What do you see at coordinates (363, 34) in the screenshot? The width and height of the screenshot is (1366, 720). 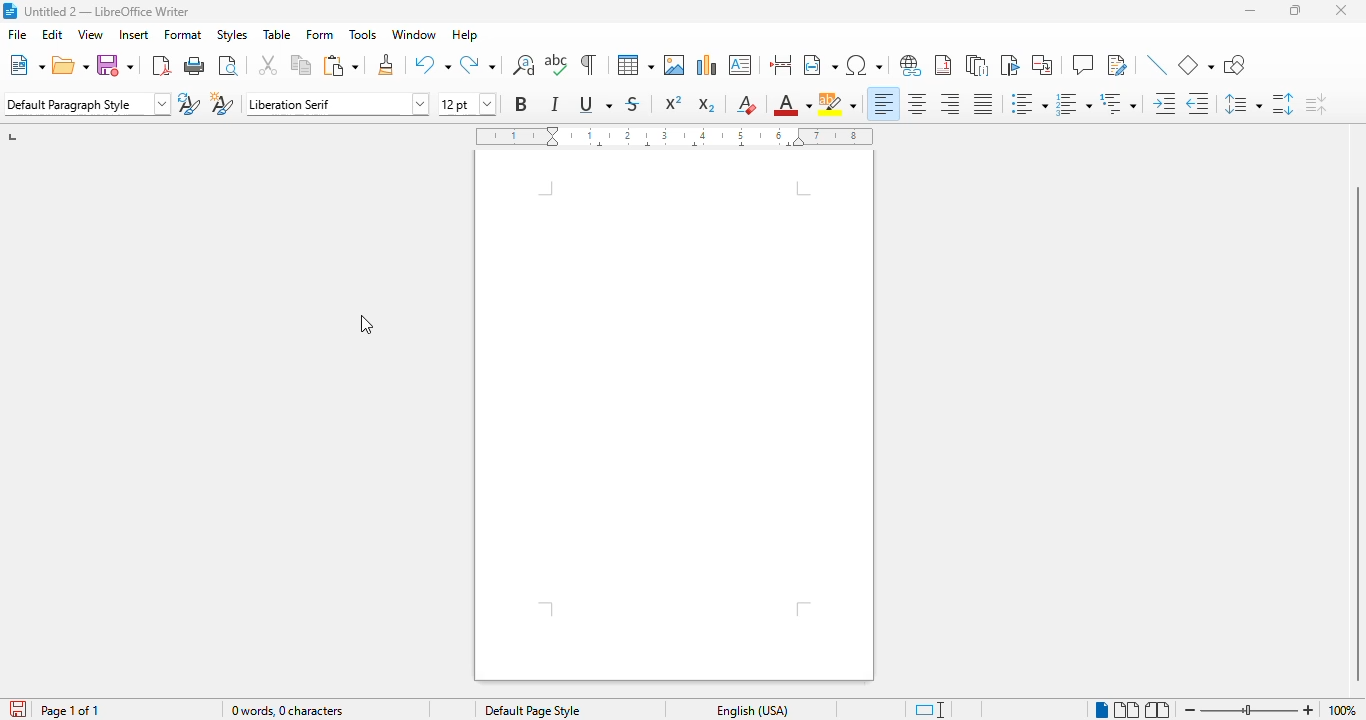 I see `tools` at bounding box center [363, 34].